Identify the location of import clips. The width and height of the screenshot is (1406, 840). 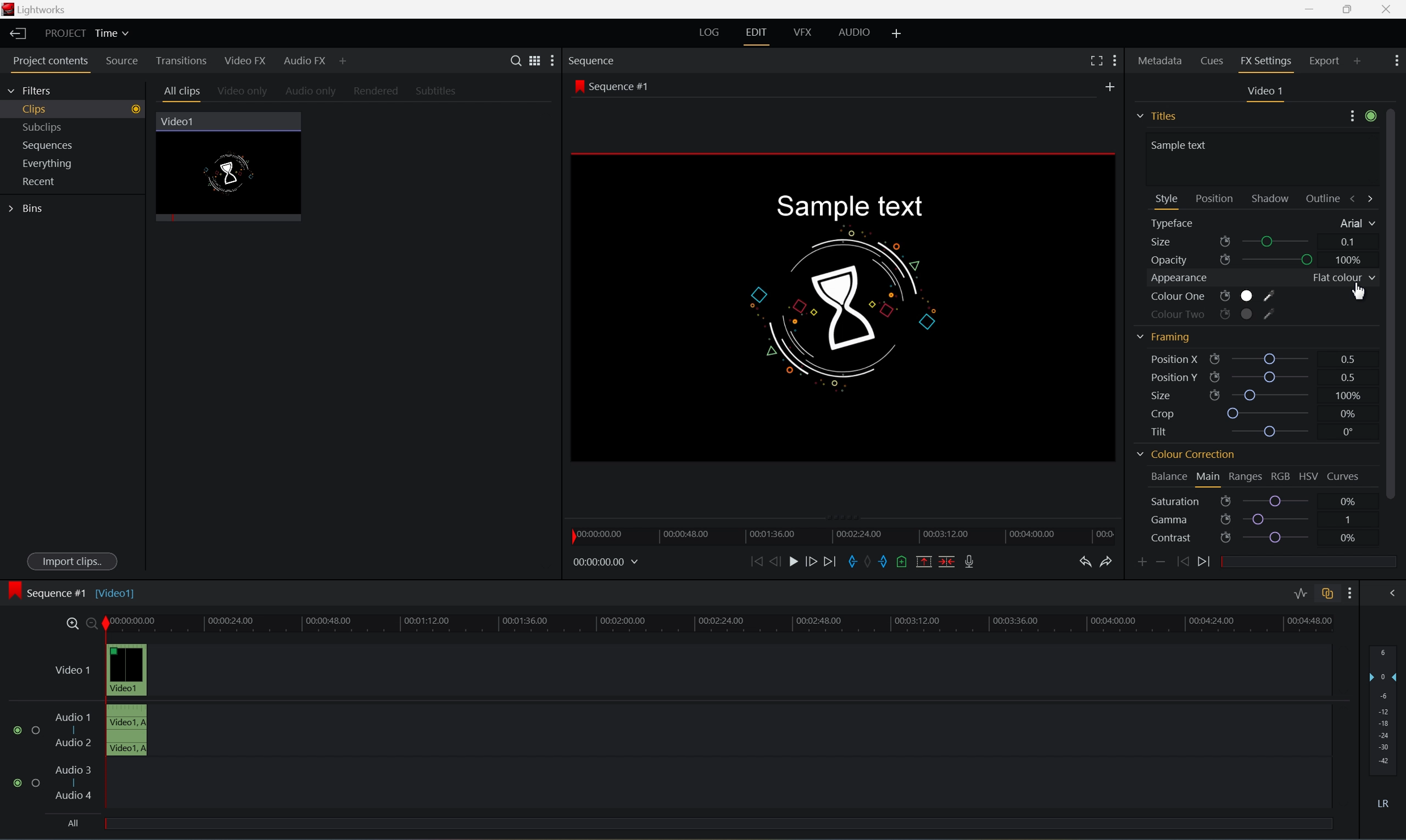
(74, 563).